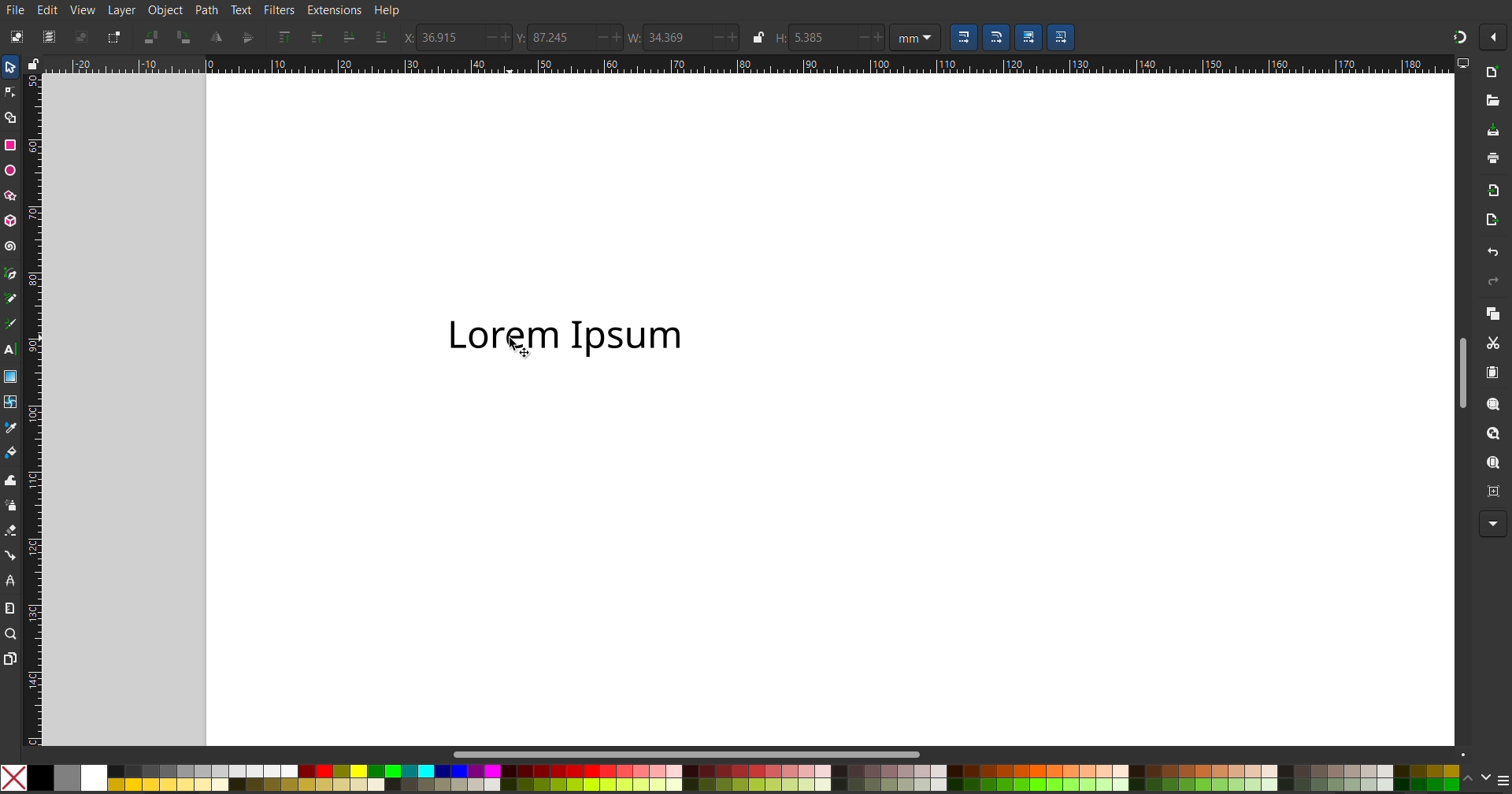  What do you see at coordinates (11, 403) in the screenshot?
I see `Mesh Tool` at bounding box center [11, 403].